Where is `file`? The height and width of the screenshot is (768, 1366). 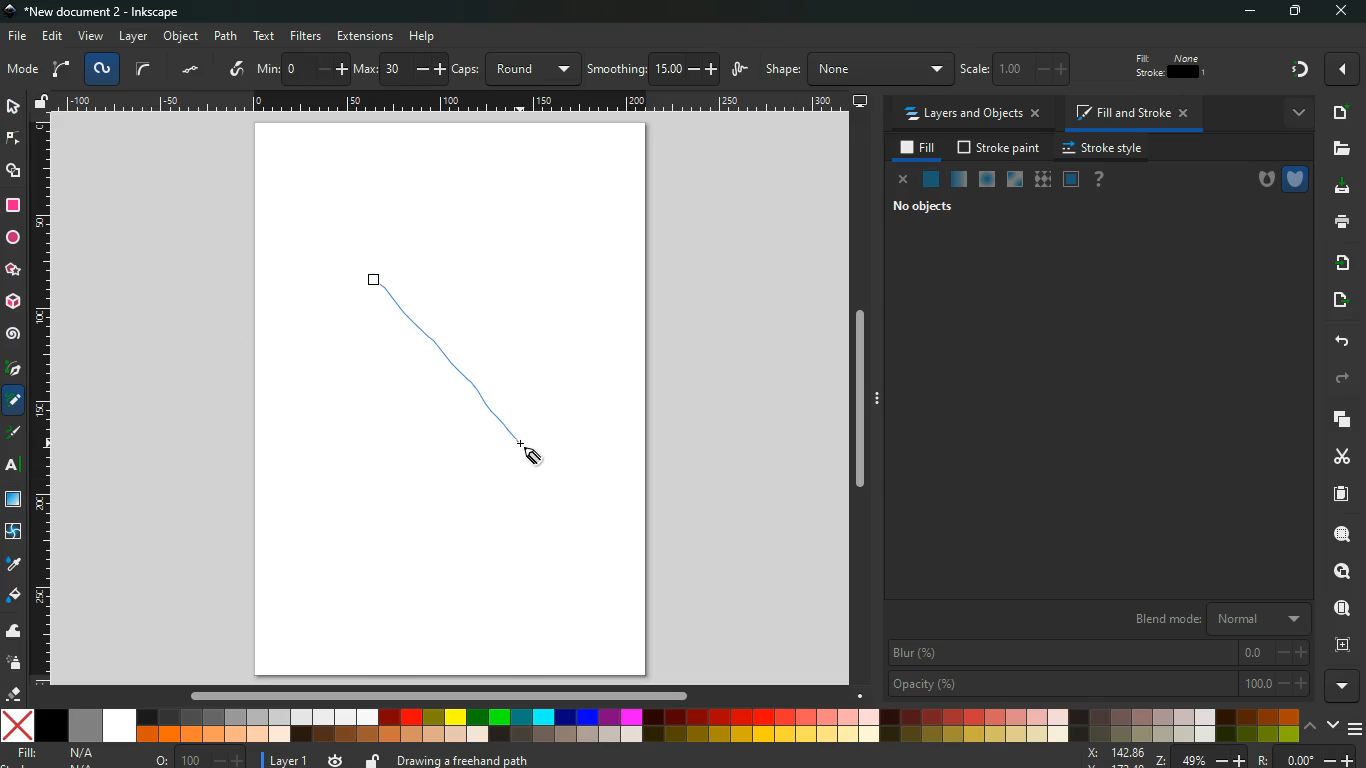
file is located at coordinates (15, 38).